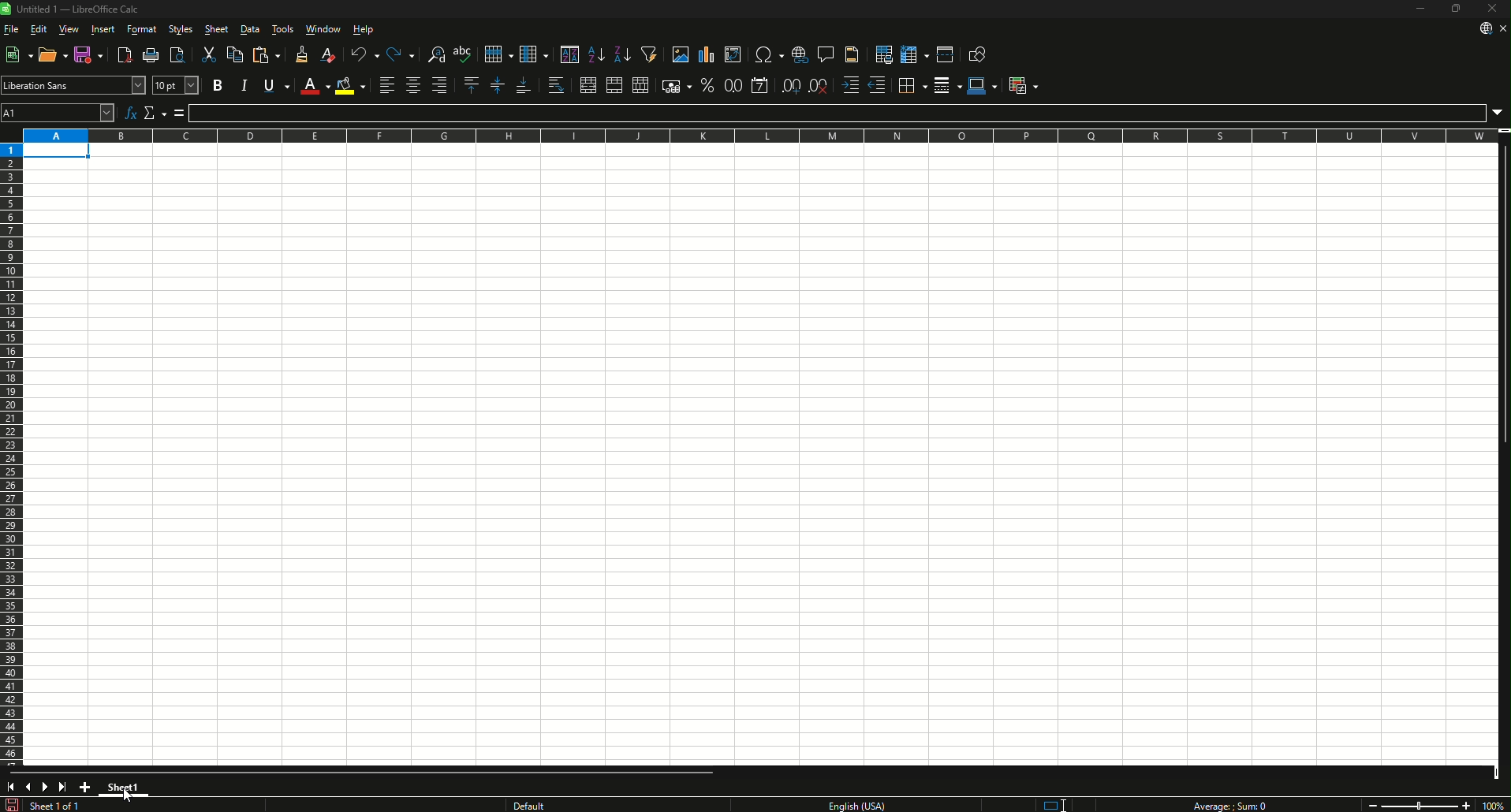  Describe the element at coordinates (125, 54) in the screenshot. I see `Export Directly as PDF` at that location.